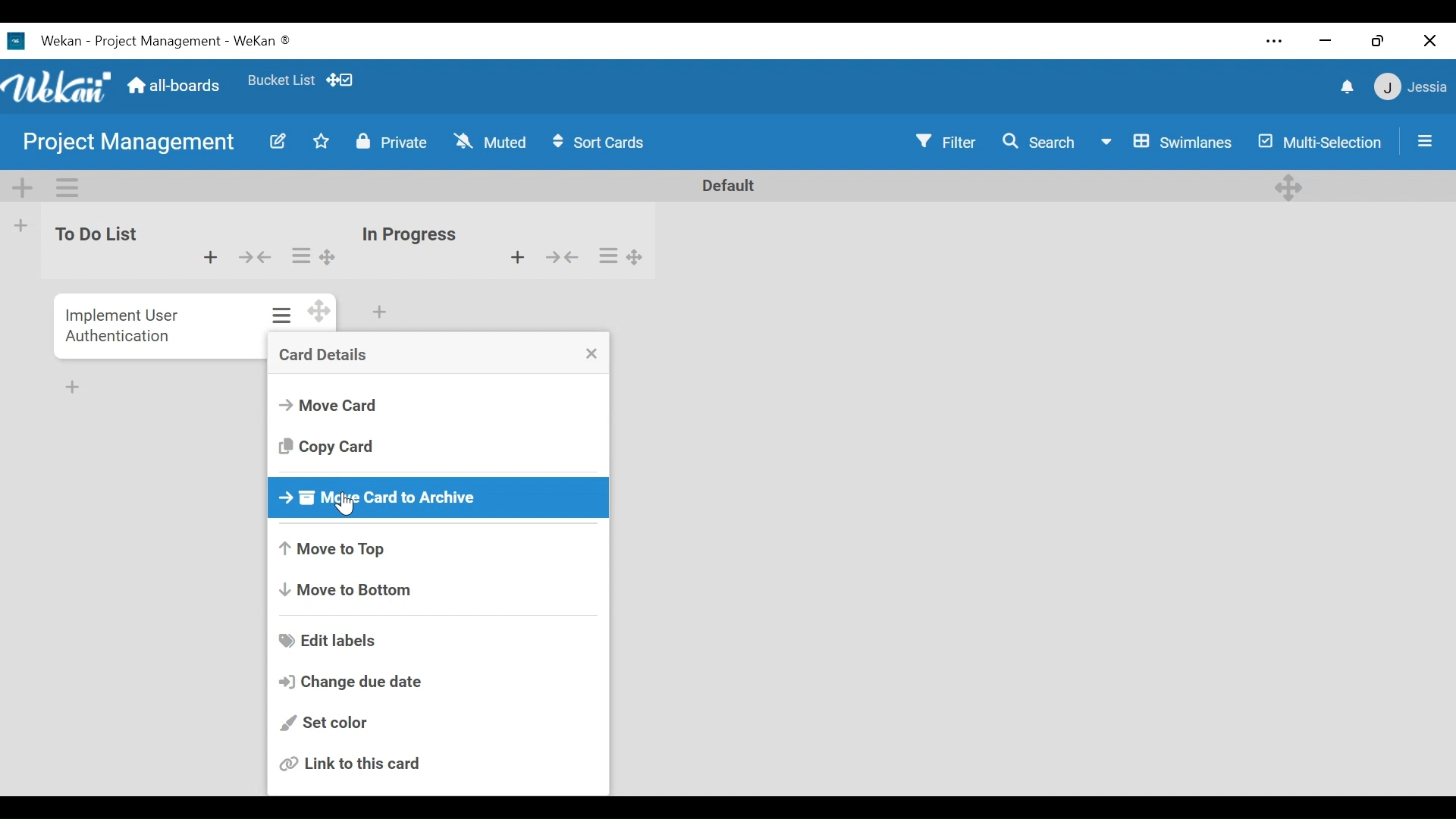  I want to click on Card, so click(120, 324).